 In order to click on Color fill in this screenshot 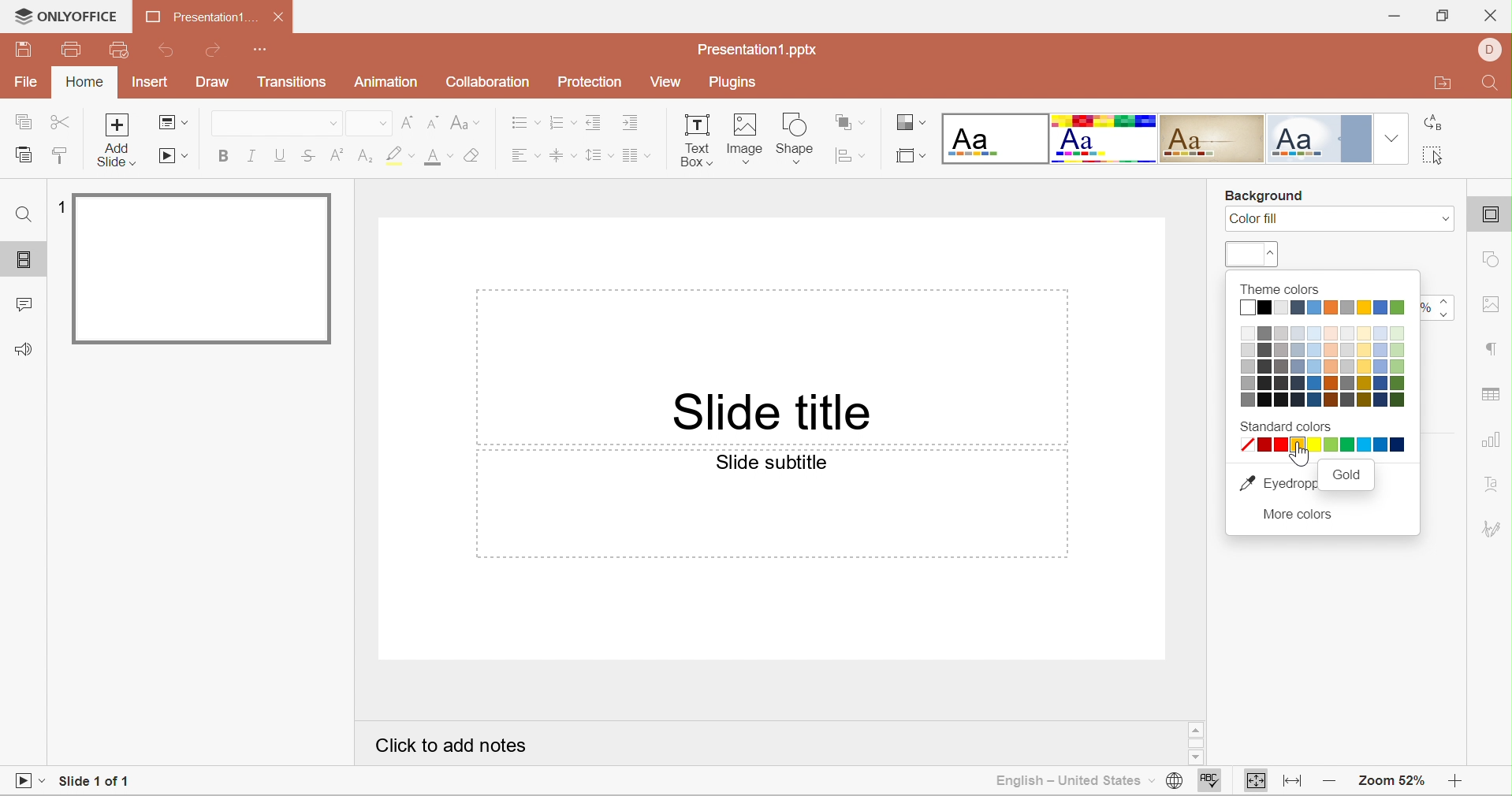, I will do `click(1256, 221)`.